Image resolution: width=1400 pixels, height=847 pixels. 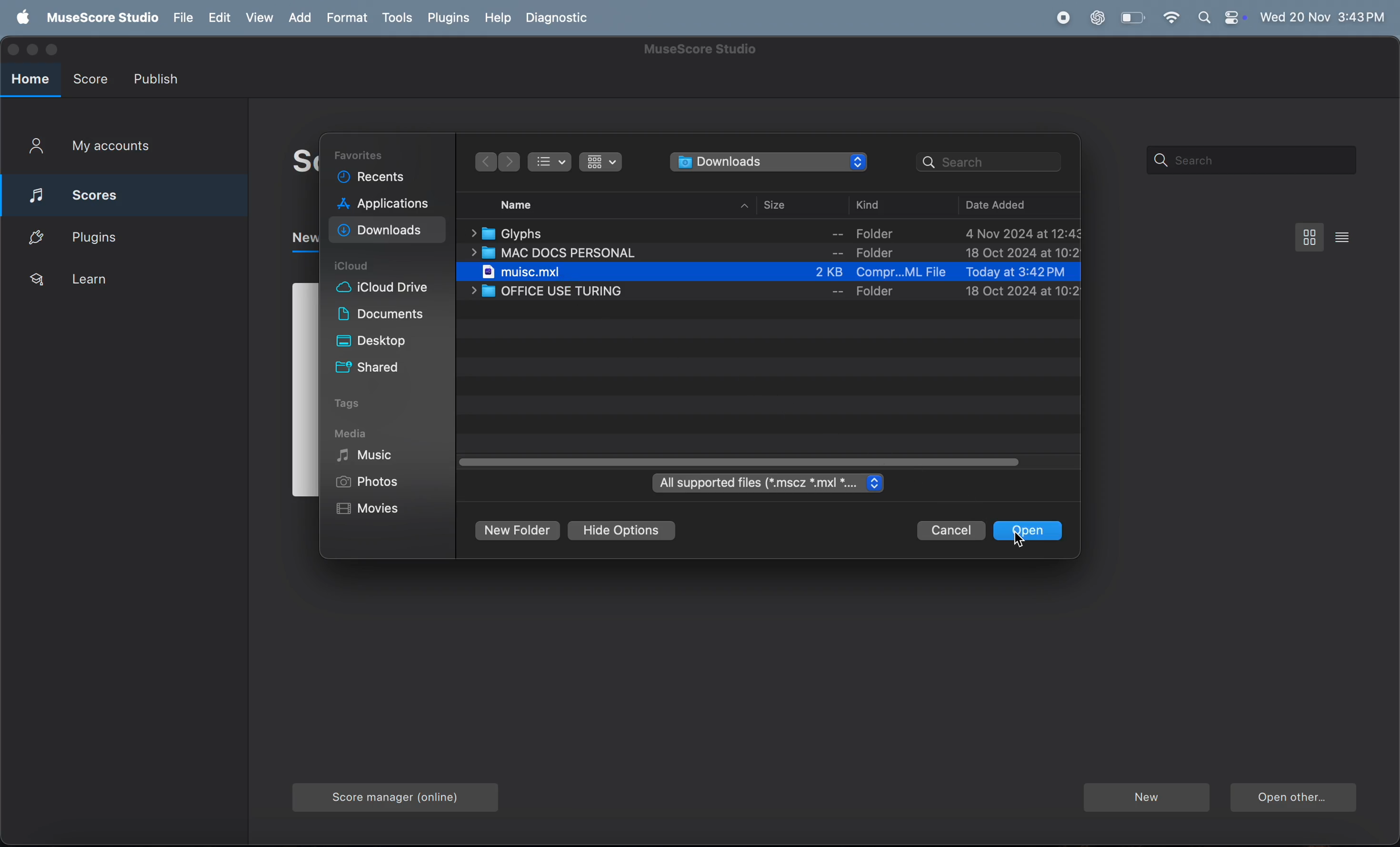 I want to click on search, so click(x=1250, y=160).